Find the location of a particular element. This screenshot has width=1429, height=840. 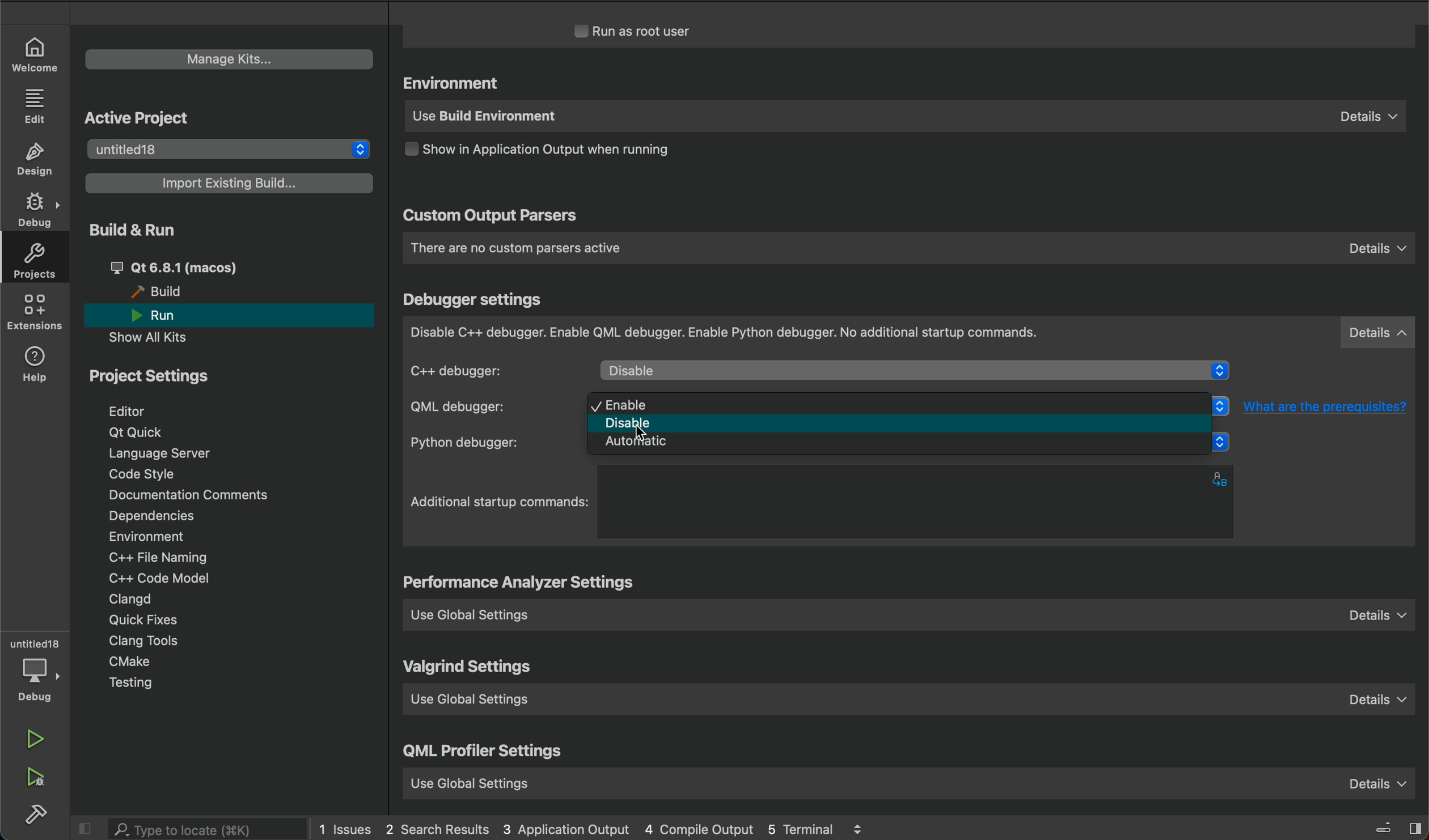

run debug is located at coordinates (38, 778).